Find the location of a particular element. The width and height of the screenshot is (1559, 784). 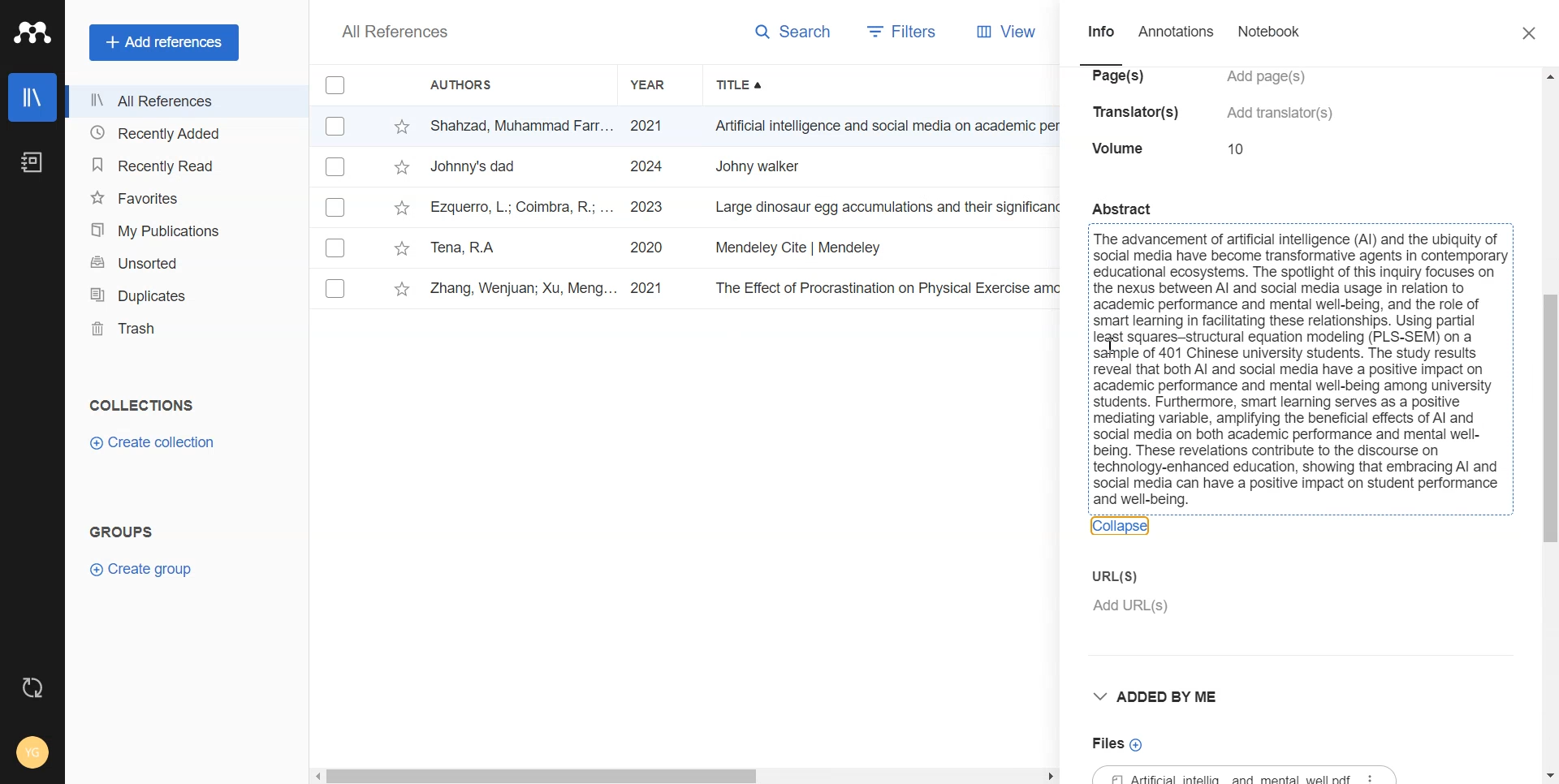

Auto Sync is located at coordinates (32, 687).